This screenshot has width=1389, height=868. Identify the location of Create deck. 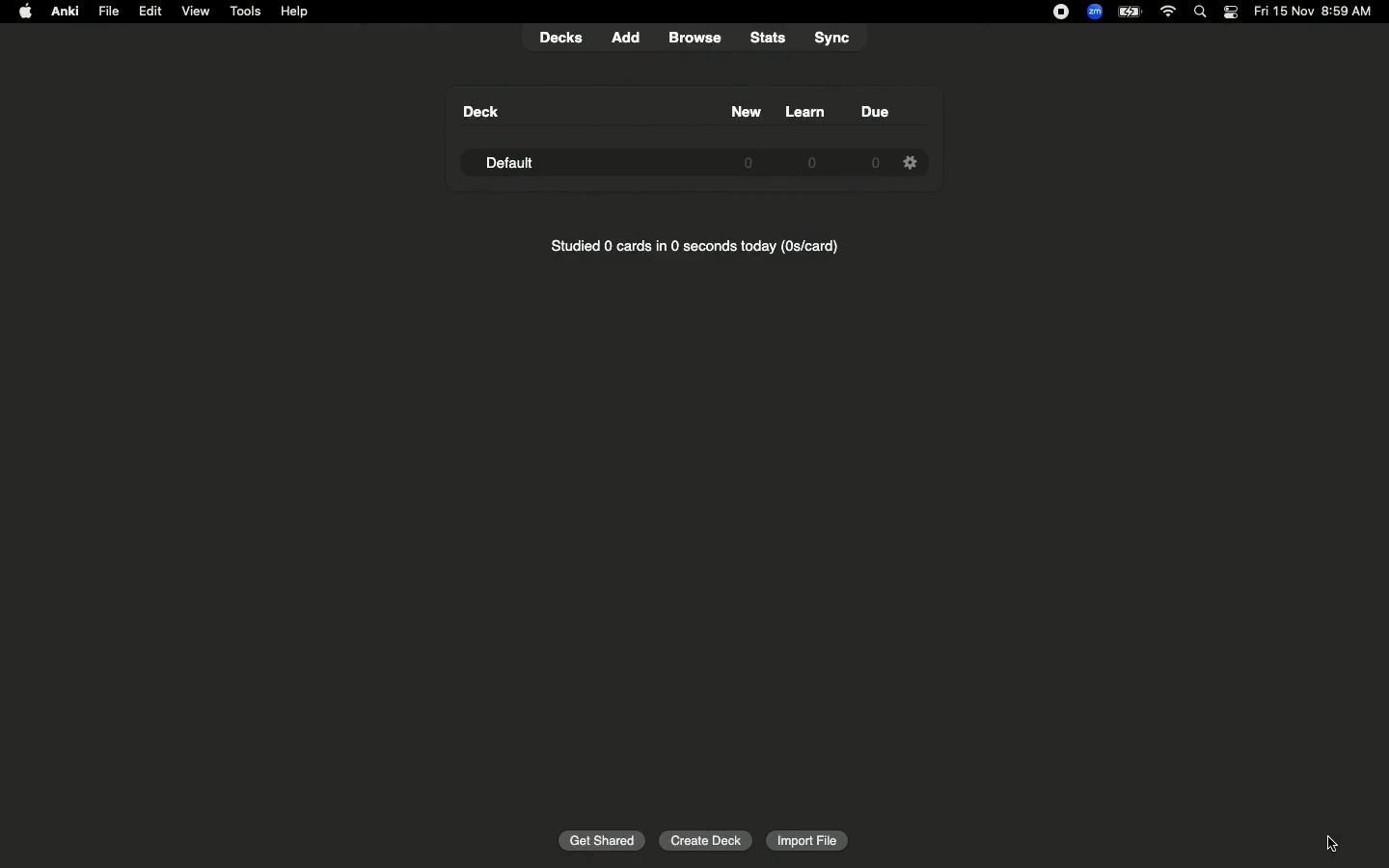
(706, 841).